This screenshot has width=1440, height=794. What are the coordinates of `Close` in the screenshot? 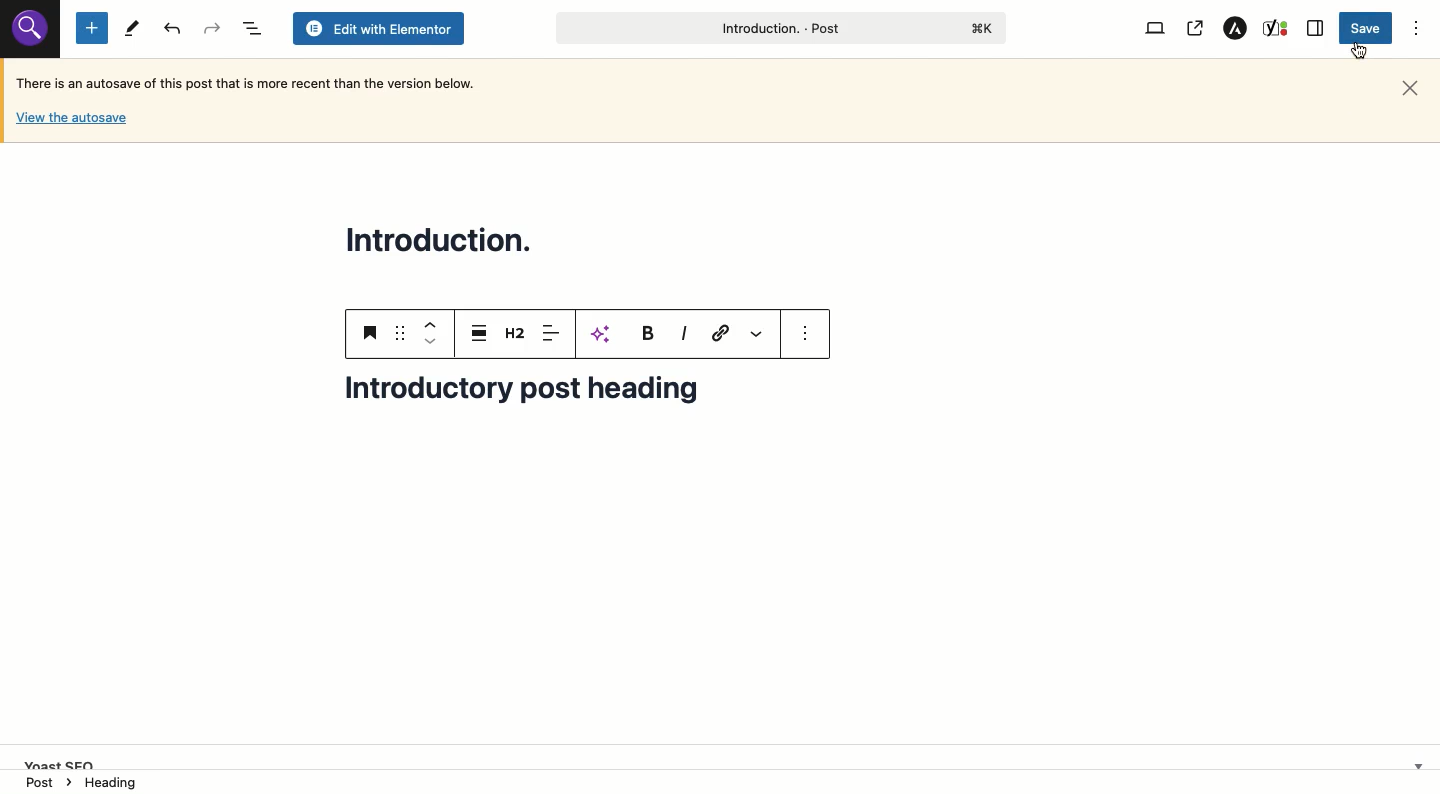 It's located at (1410, 89).